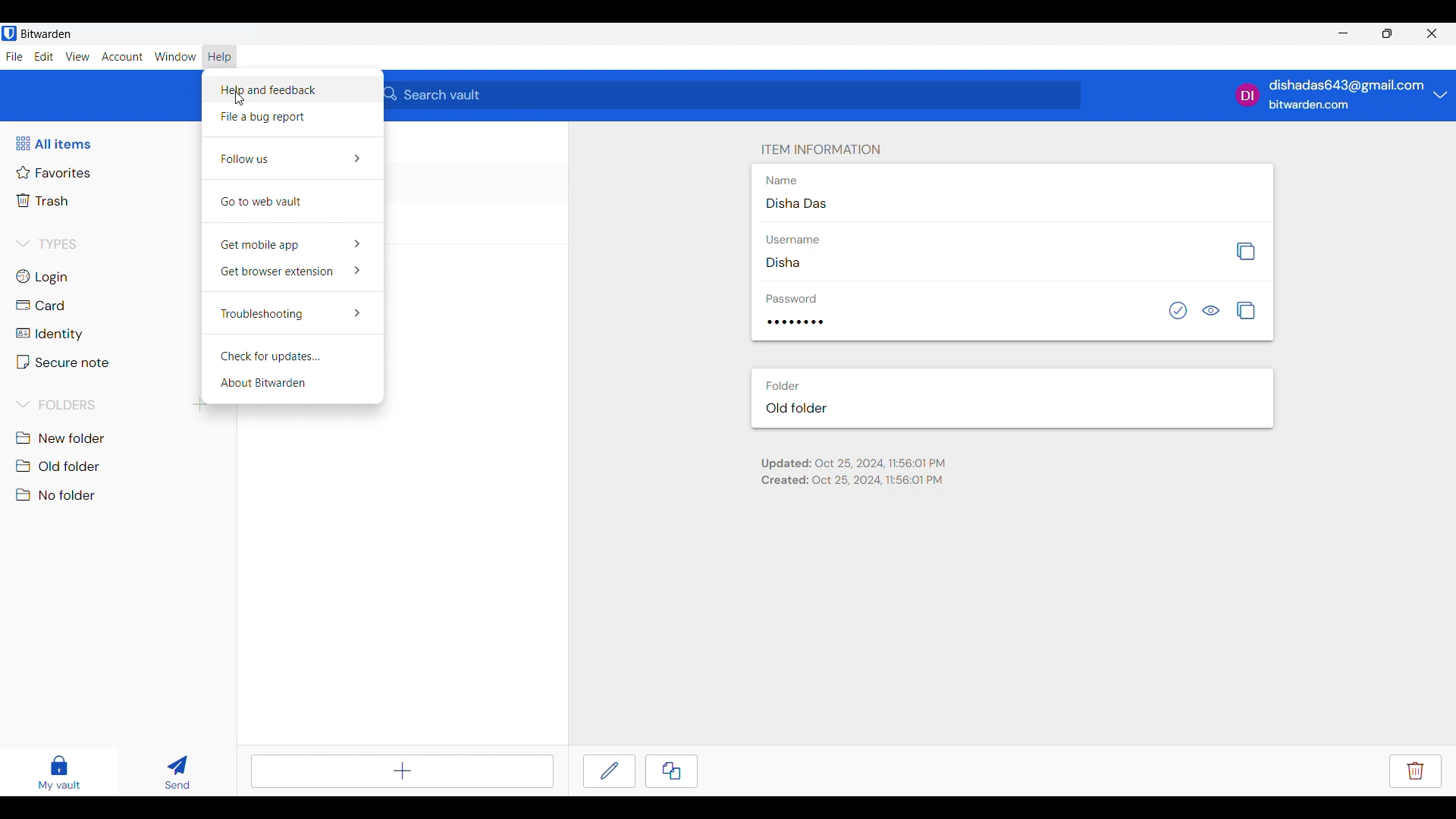 The height and width of the screenshot is (819, 1456). Describe the element at coordinates (1387, 33) in the screenshot. I see `Show in smaller tab` at that location.